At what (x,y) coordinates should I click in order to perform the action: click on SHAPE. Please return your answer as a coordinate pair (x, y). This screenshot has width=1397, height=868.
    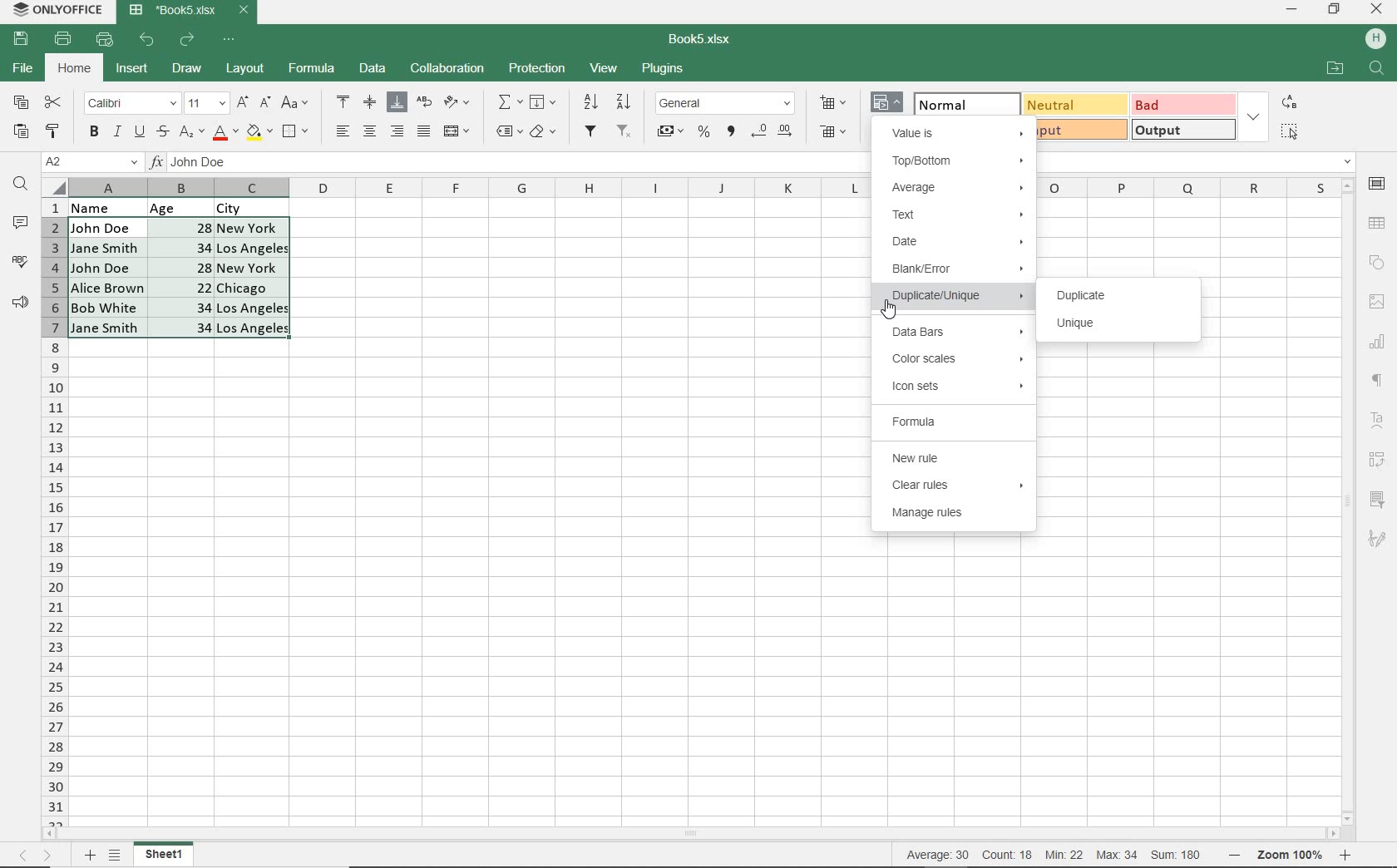
    Looking at the image, I should click on (1376, 263).